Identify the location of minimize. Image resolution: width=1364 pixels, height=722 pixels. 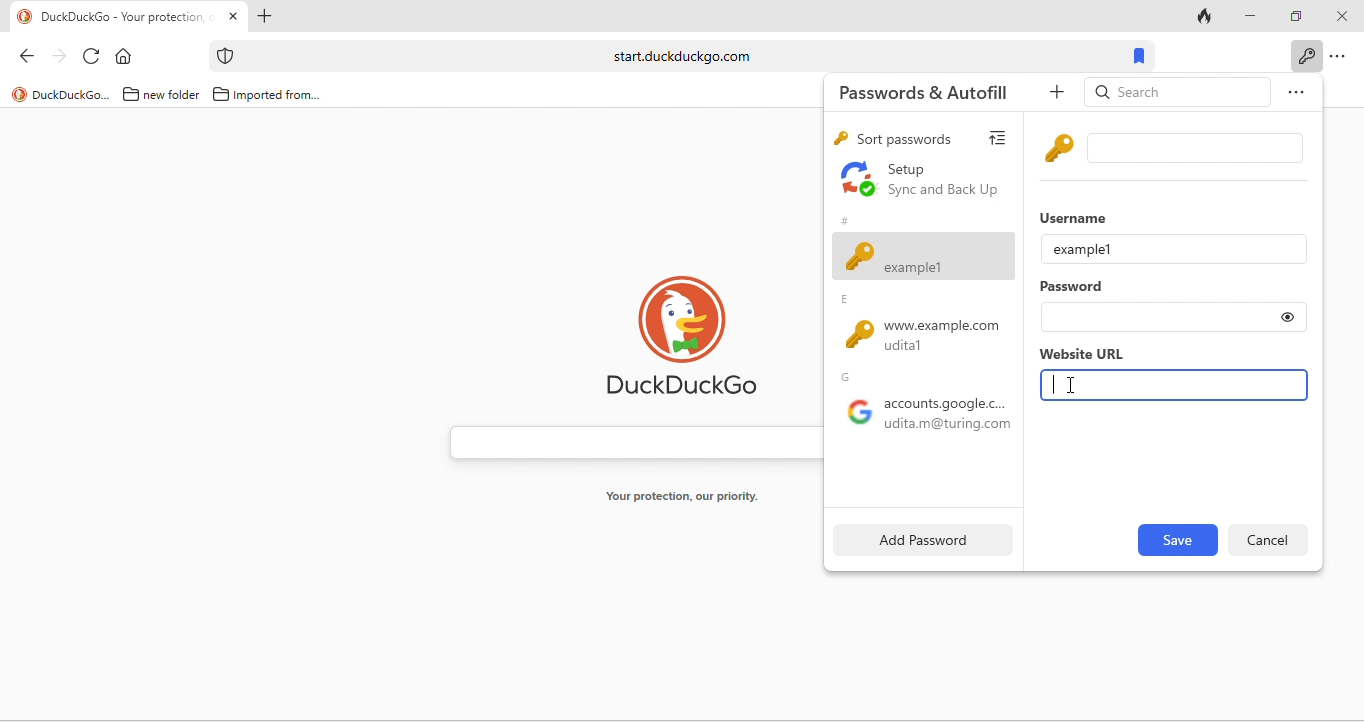
(1247, 14).